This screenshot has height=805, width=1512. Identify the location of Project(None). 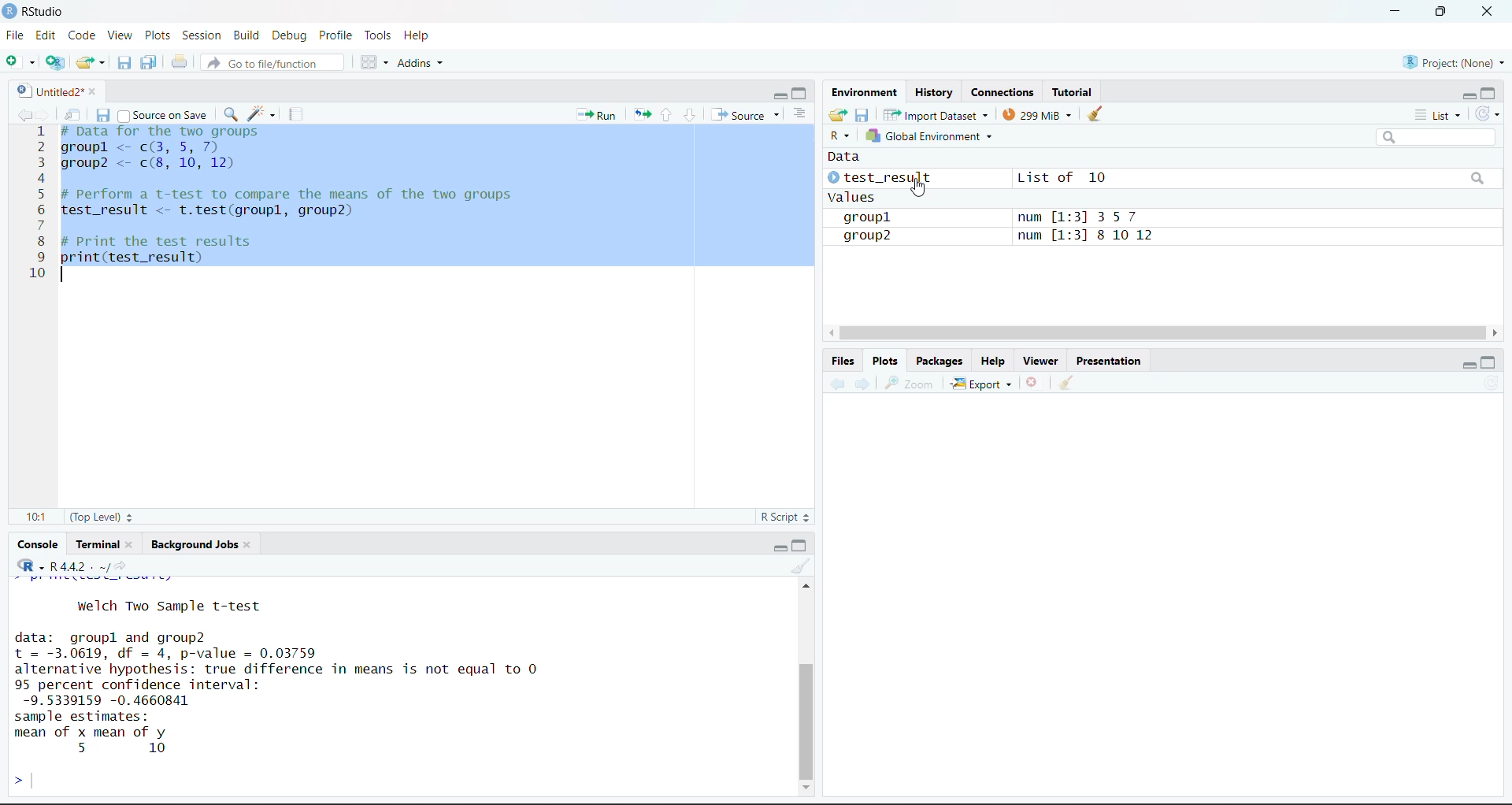
(1457, 62).